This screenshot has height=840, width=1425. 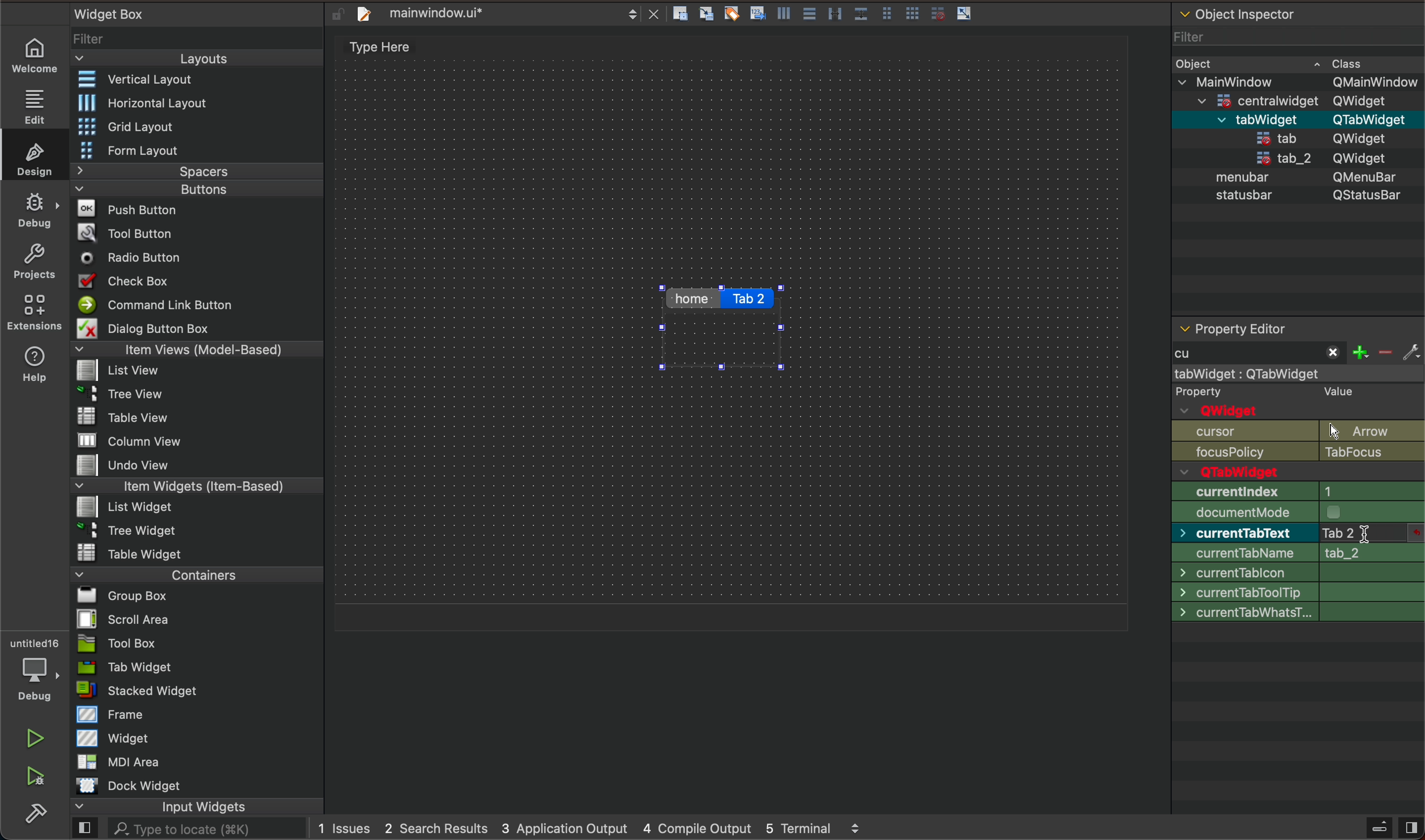 I want to click on Tab Widget, so click(x=129, y=666).